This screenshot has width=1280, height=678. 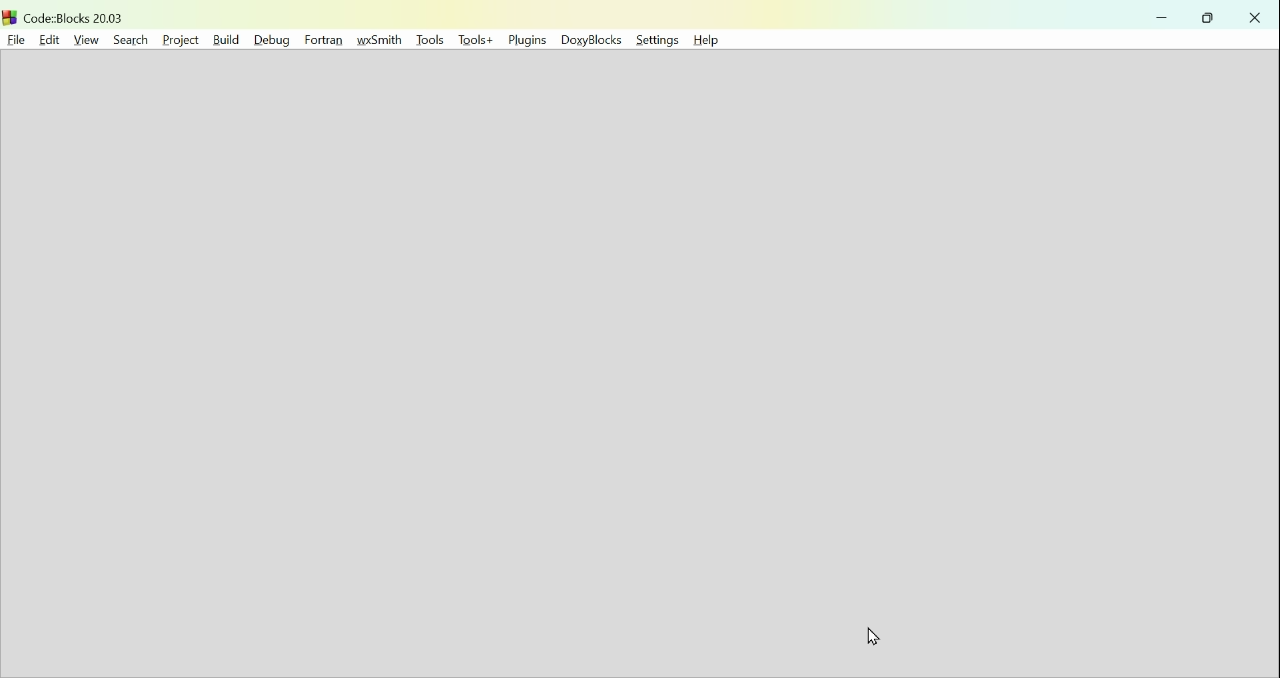 I want to click on Default Start Screen, so click(x=637, y=367).